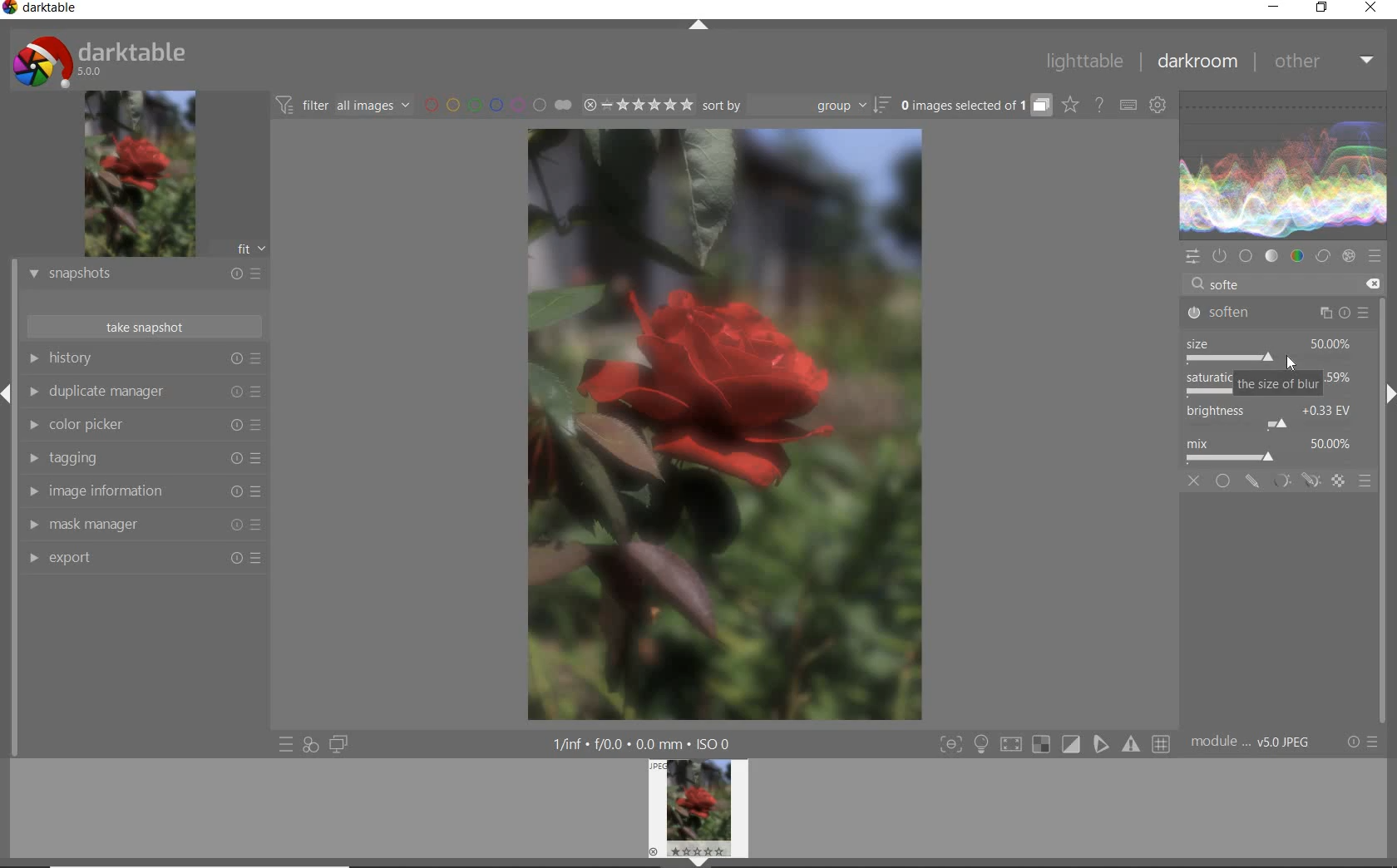 The width and height of the screenshot is (1397, 868). I want to click on show only active modules, so click(1218, 254).